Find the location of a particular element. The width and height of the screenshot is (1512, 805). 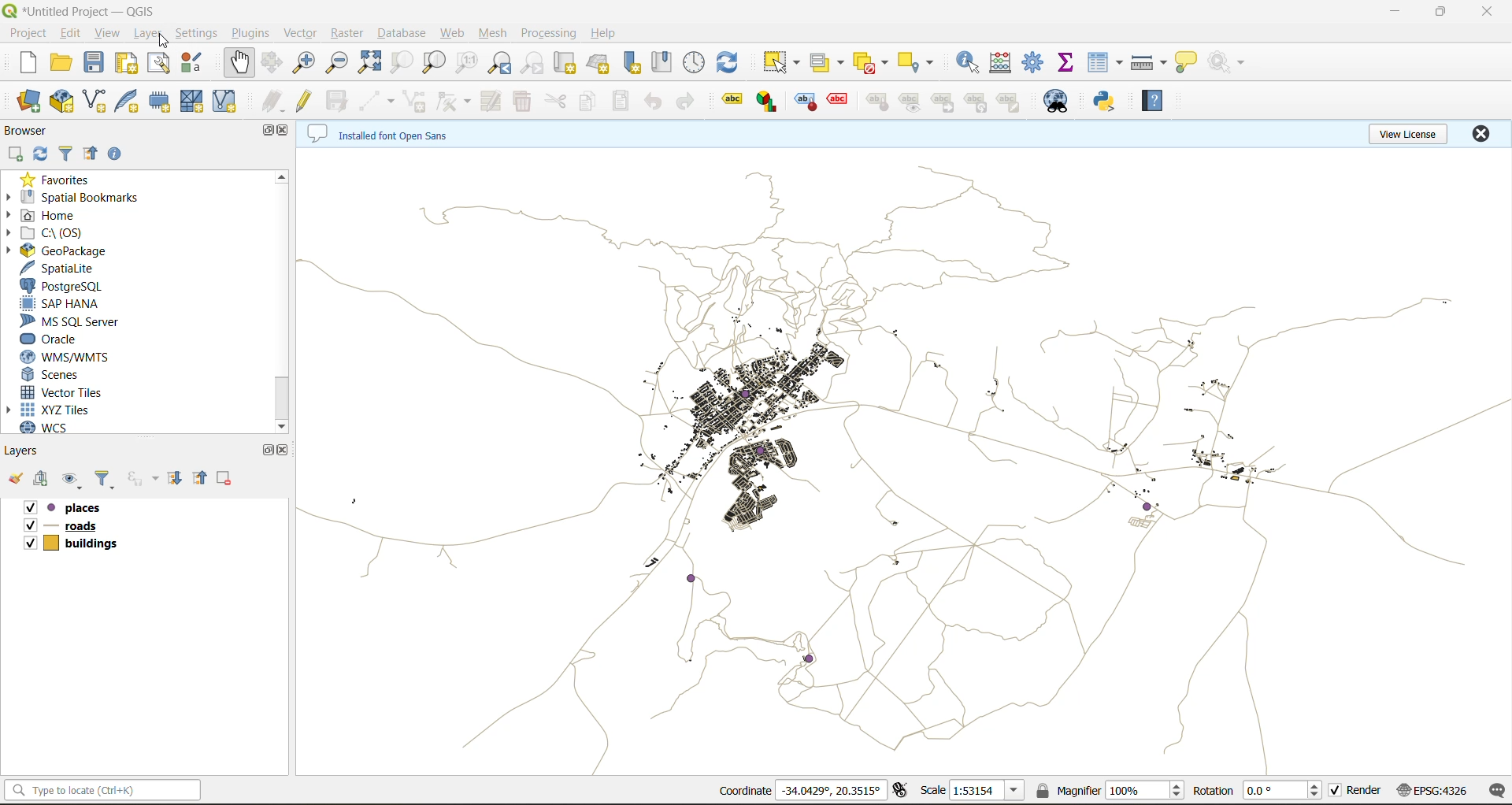

delete is located at coordinates (525, 101).